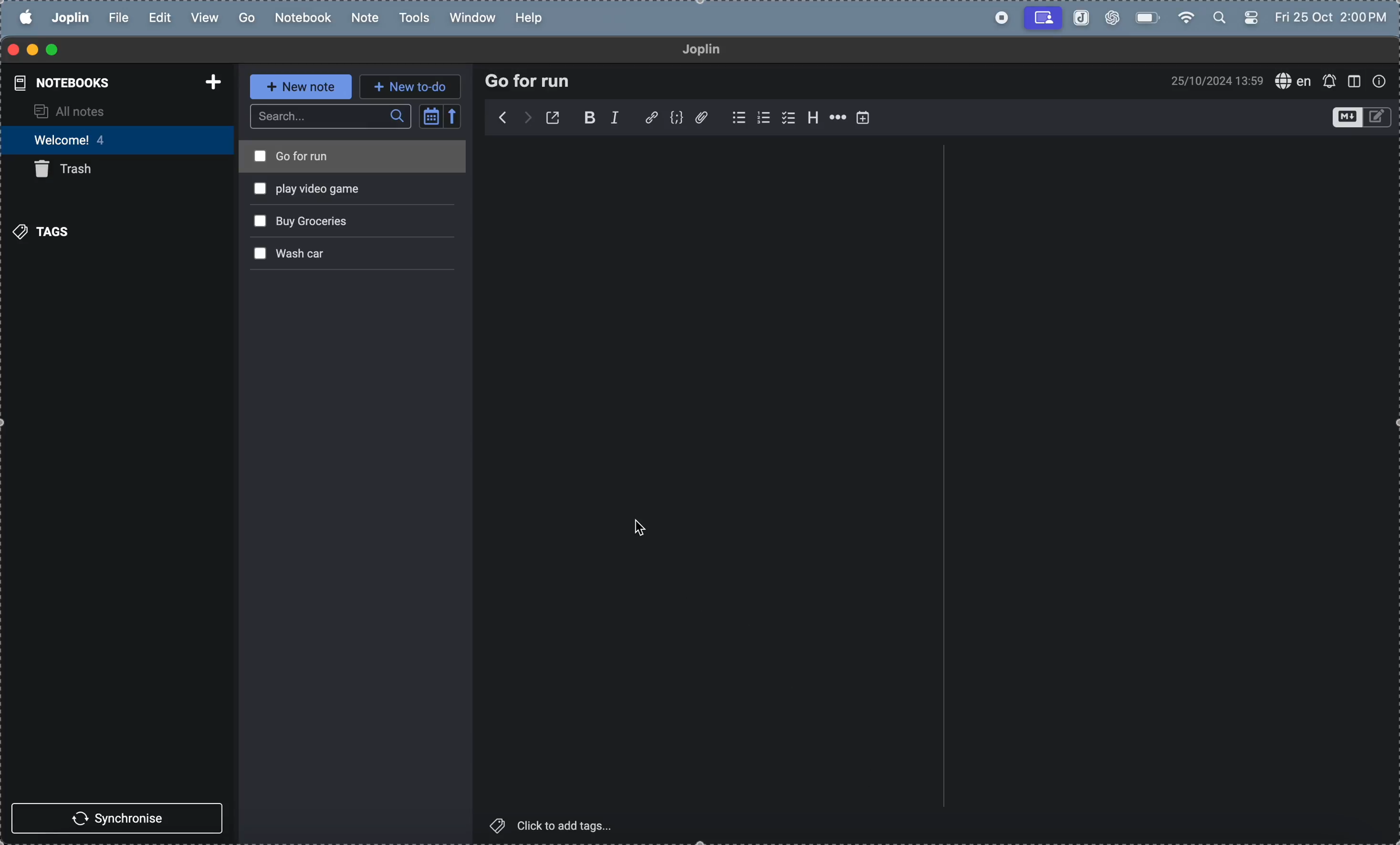 This screenshot has height=845, width=1400. What do you see at coordinates (570, 826) in the screenshot?
I see `click to add tags` at bounding box center [570, 826].